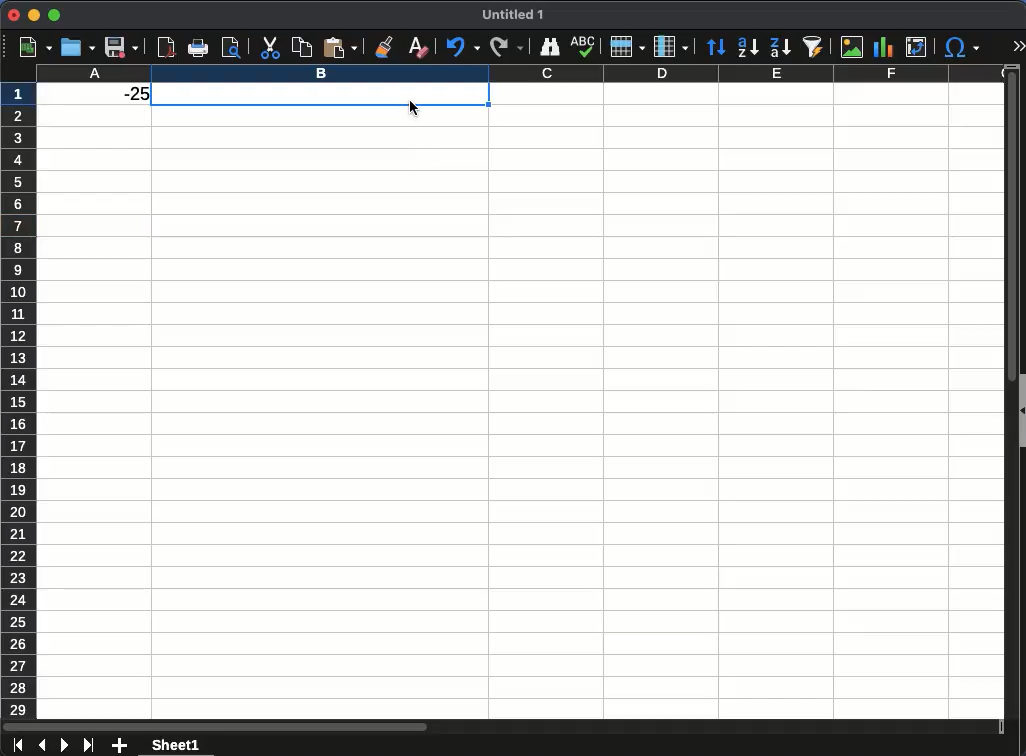 The height and width of the screenshot is (756, 1026). Describe the element at coordinates (382, 47) in the screenshot. I see `clone formatting ` at that location.